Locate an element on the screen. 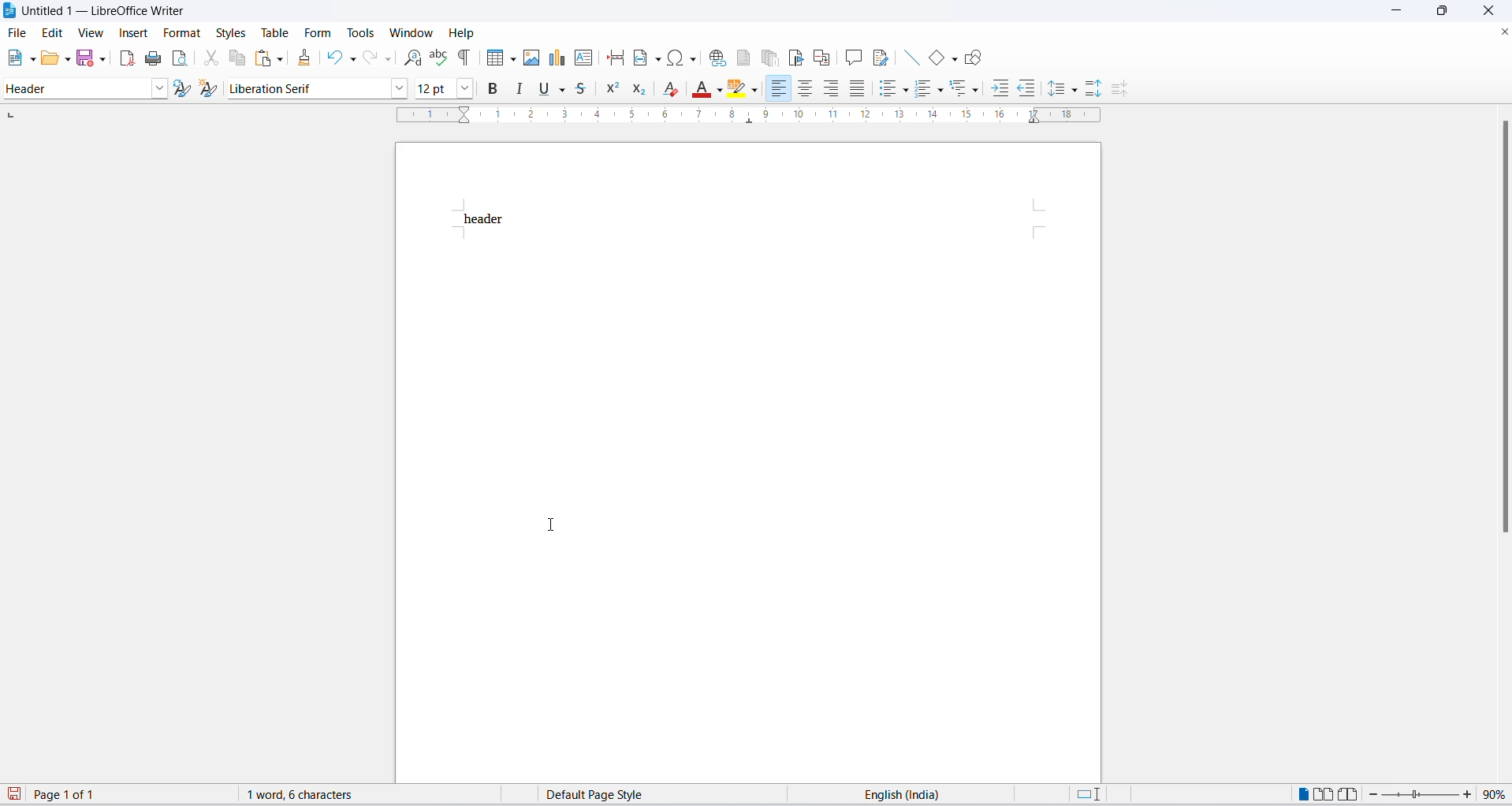 This screenshot has width=1512, height=806. table grid is located at coordinates (512, 59).